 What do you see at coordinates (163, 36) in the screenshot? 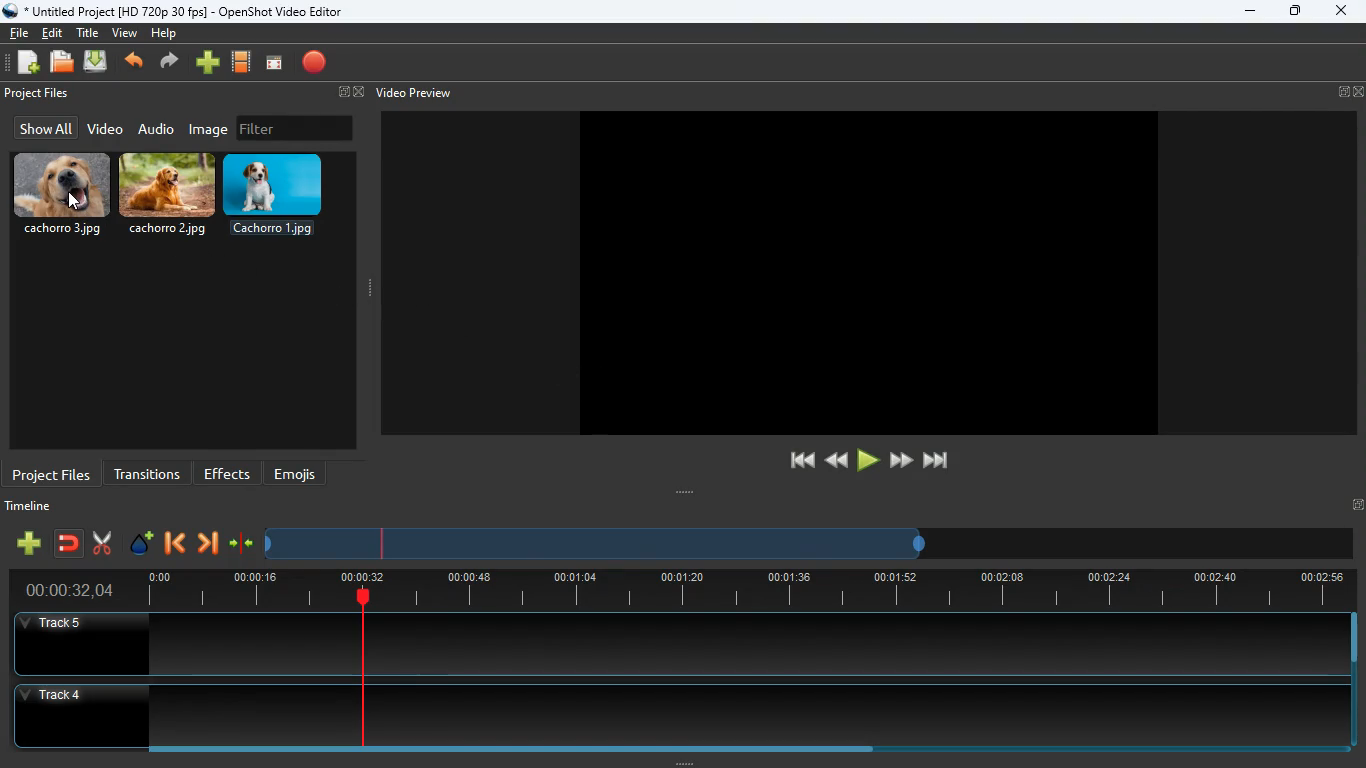
I see `help` at bounding box center [163, 36].